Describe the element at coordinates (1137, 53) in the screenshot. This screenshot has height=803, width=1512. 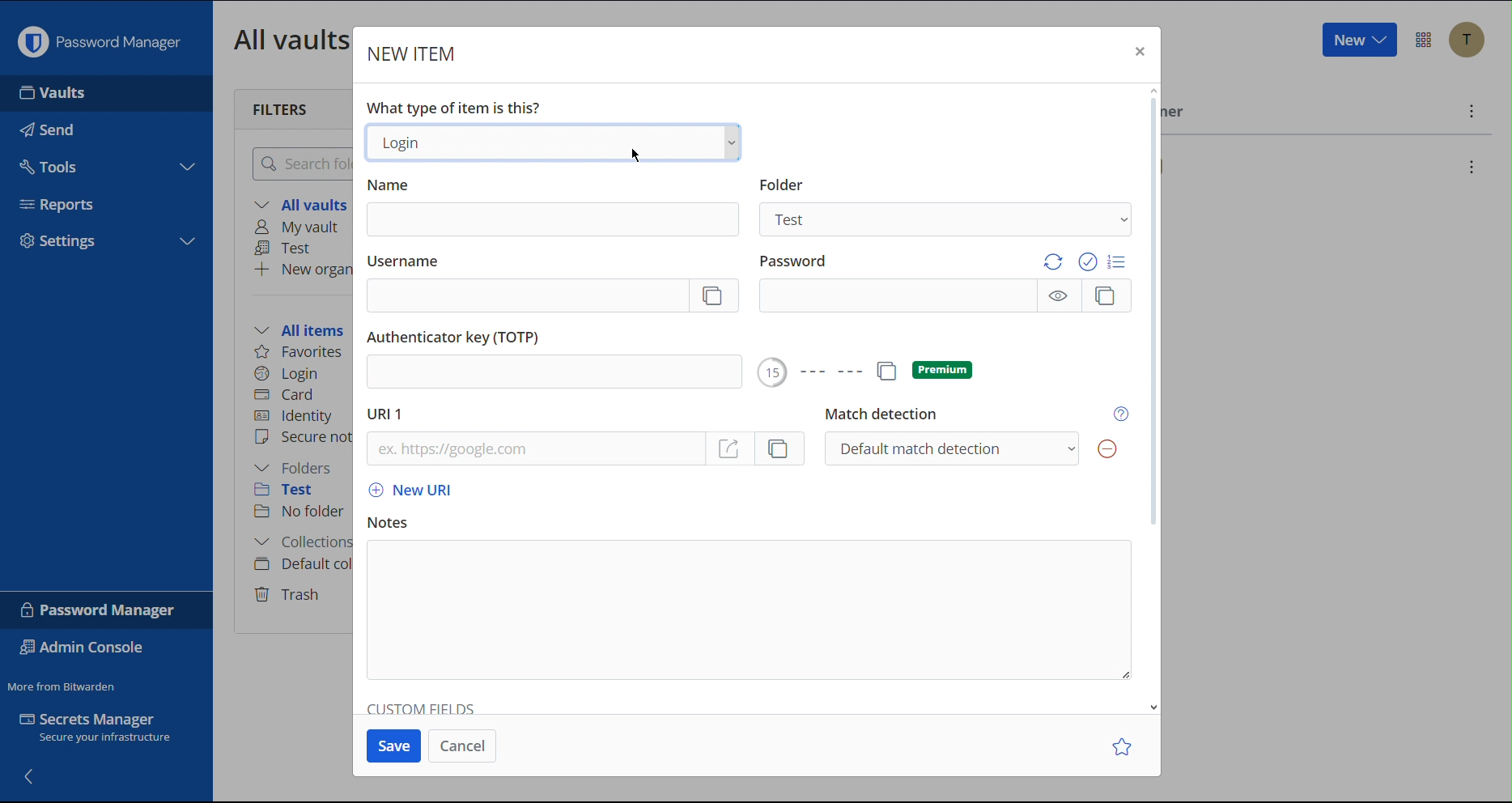
I see `Close` at that location.